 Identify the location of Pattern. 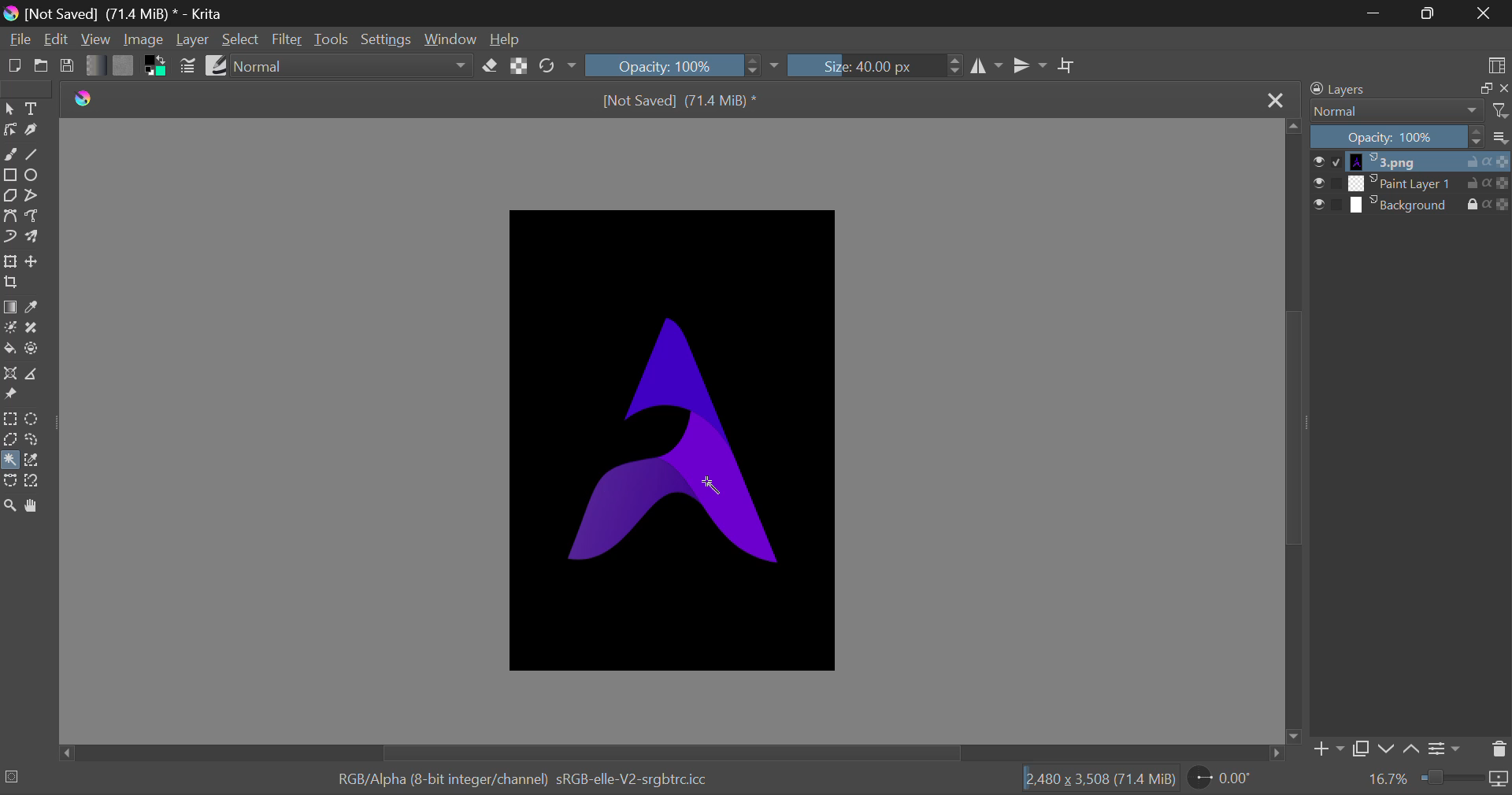
(123, 65).